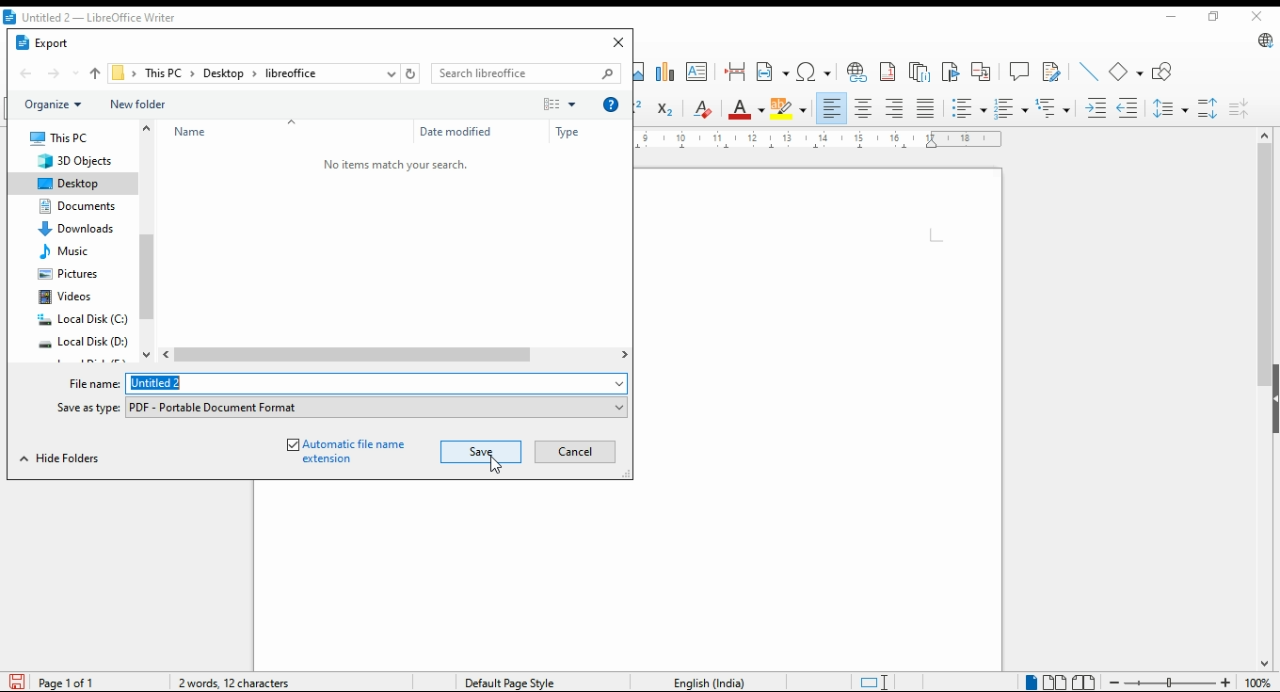  I want to click on scroll bar, so click(396, 356).